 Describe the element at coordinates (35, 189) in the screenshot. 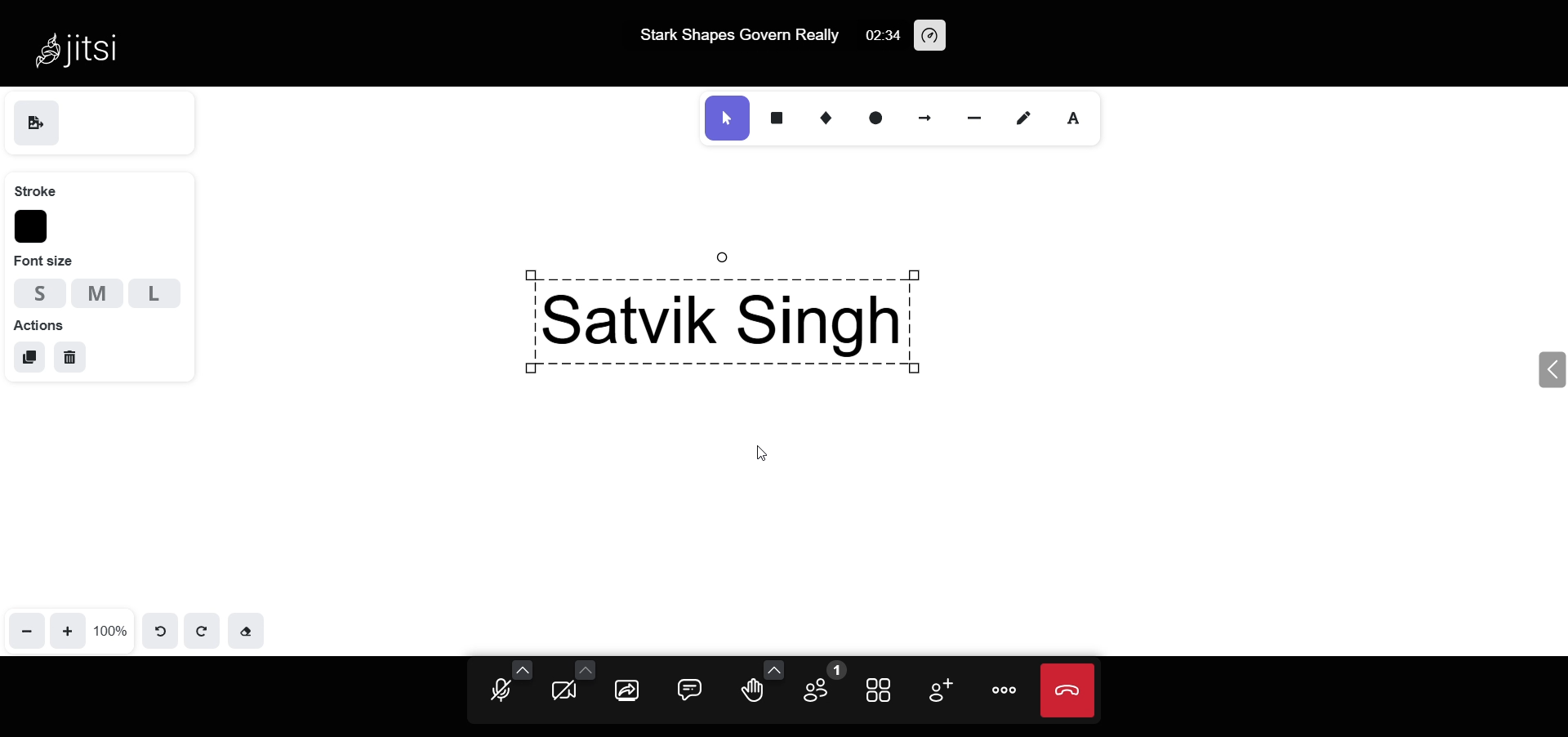

I see `stroke` at that location.